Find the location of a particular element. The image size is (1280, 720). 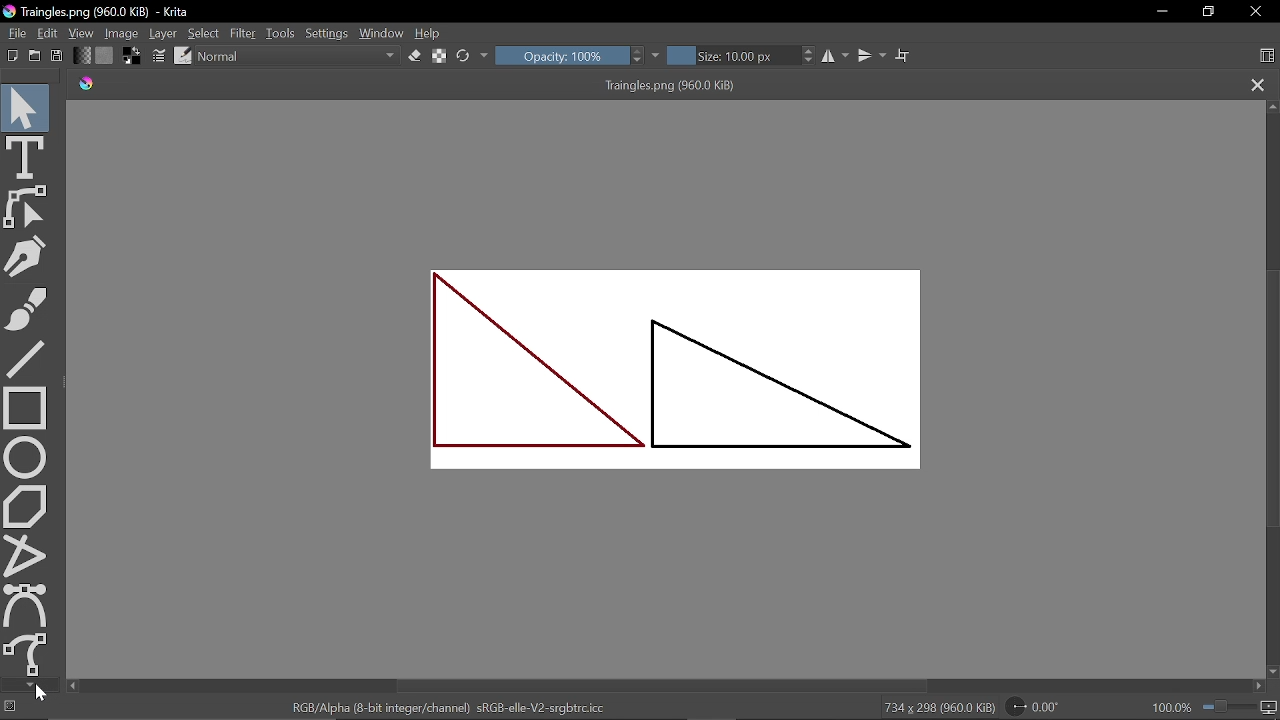

Choose brush preset is located at coordinates (182, 56).